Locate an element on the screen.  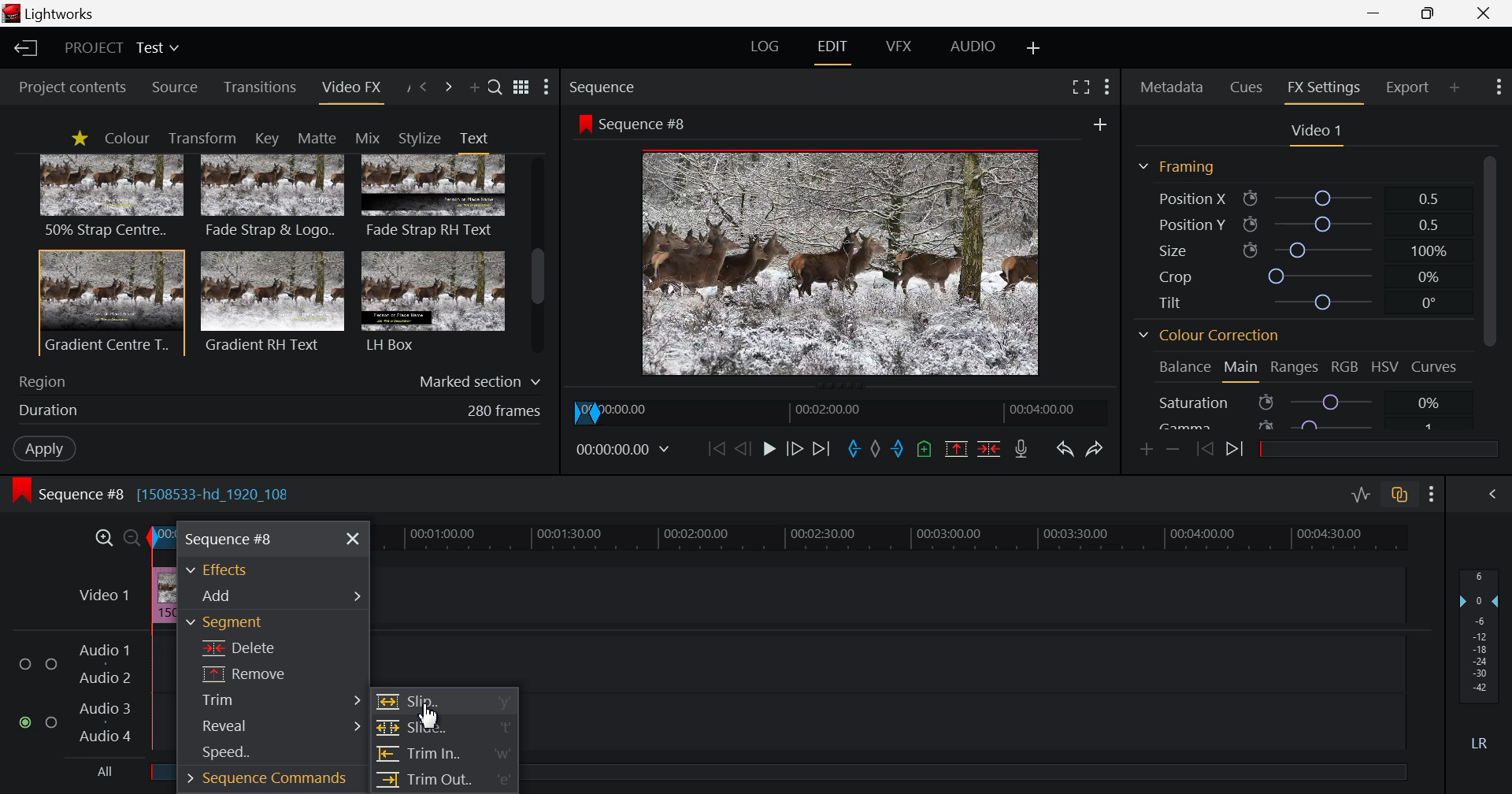
Show Audio Mix is located at coordinates (1496, 495).